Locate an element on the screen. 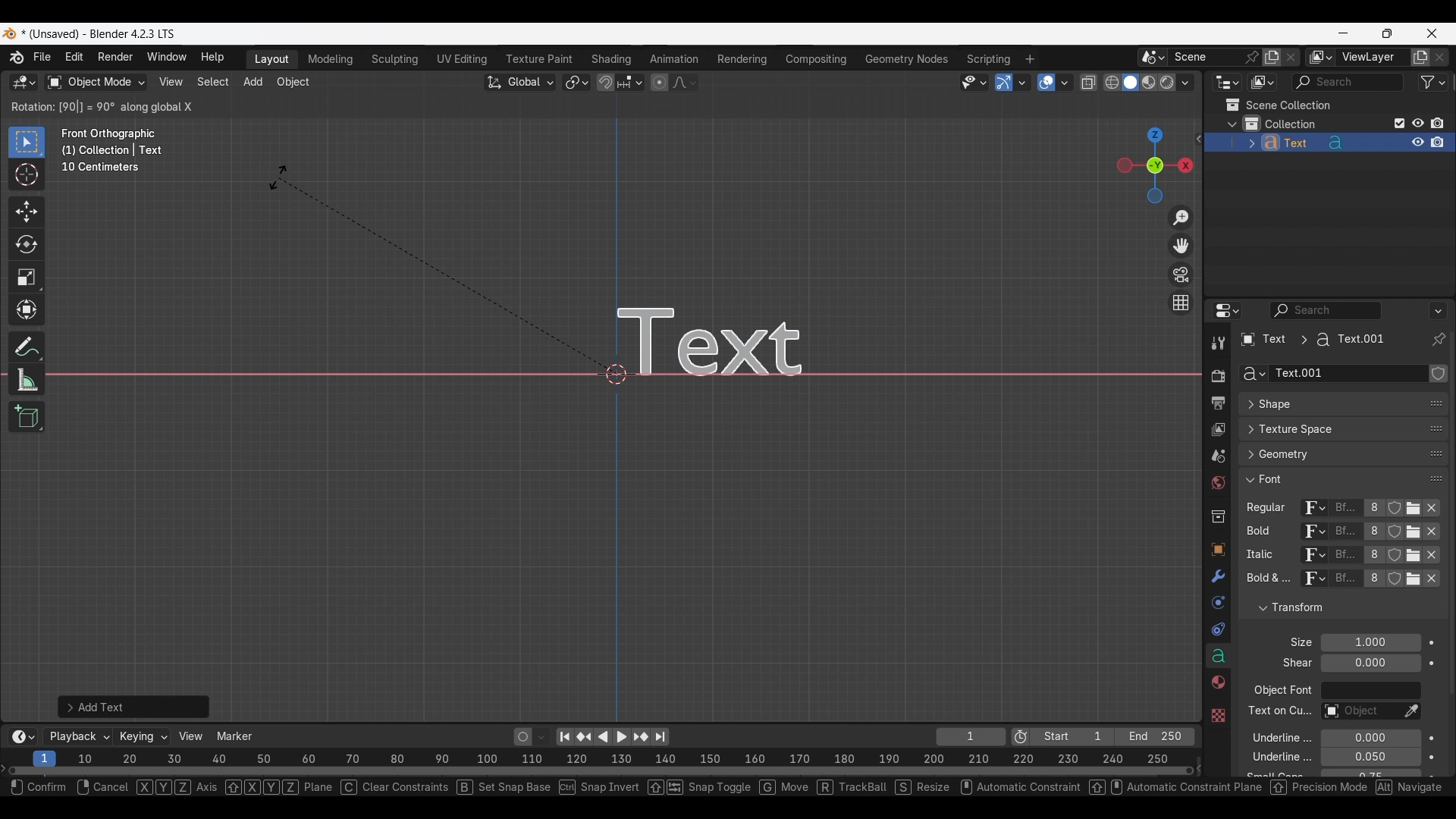  UV Editing workspace is located at coordinates (463, 59).